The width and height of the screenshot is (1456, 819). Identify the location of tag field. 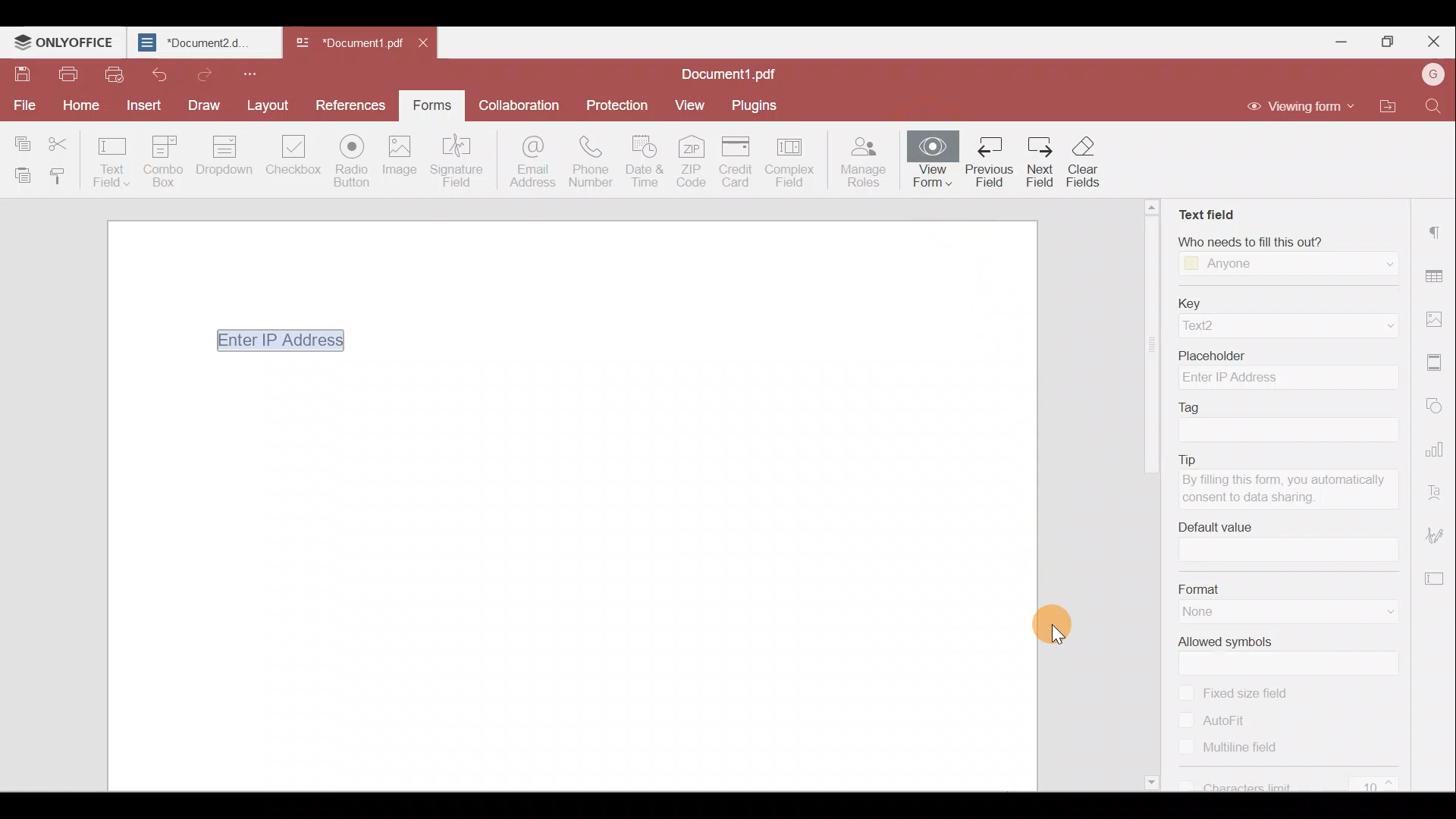
(1283, 430).